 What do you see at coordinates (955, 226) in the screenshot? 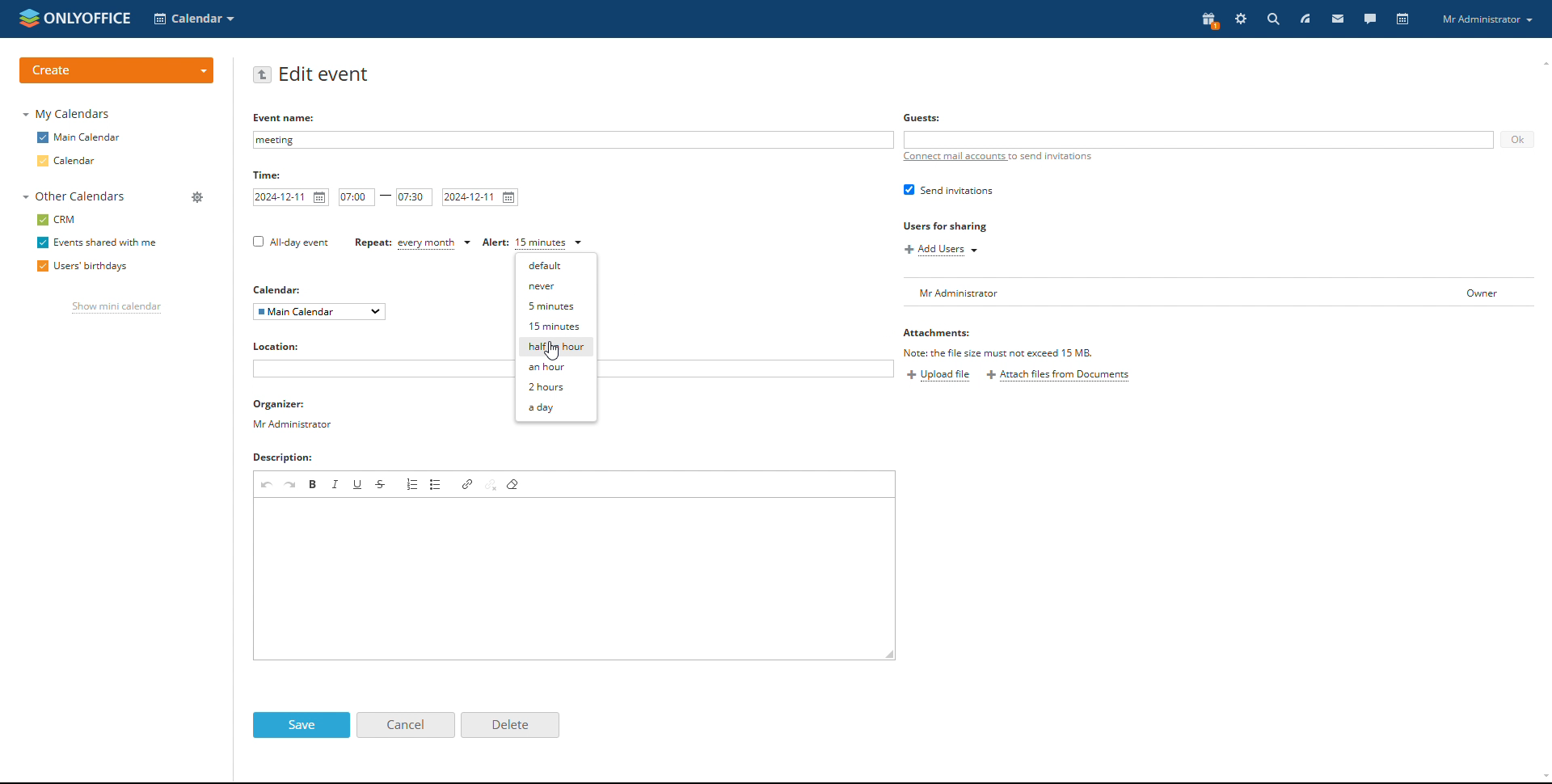
I see `Users for sharing` at bounding box center [955, 226].